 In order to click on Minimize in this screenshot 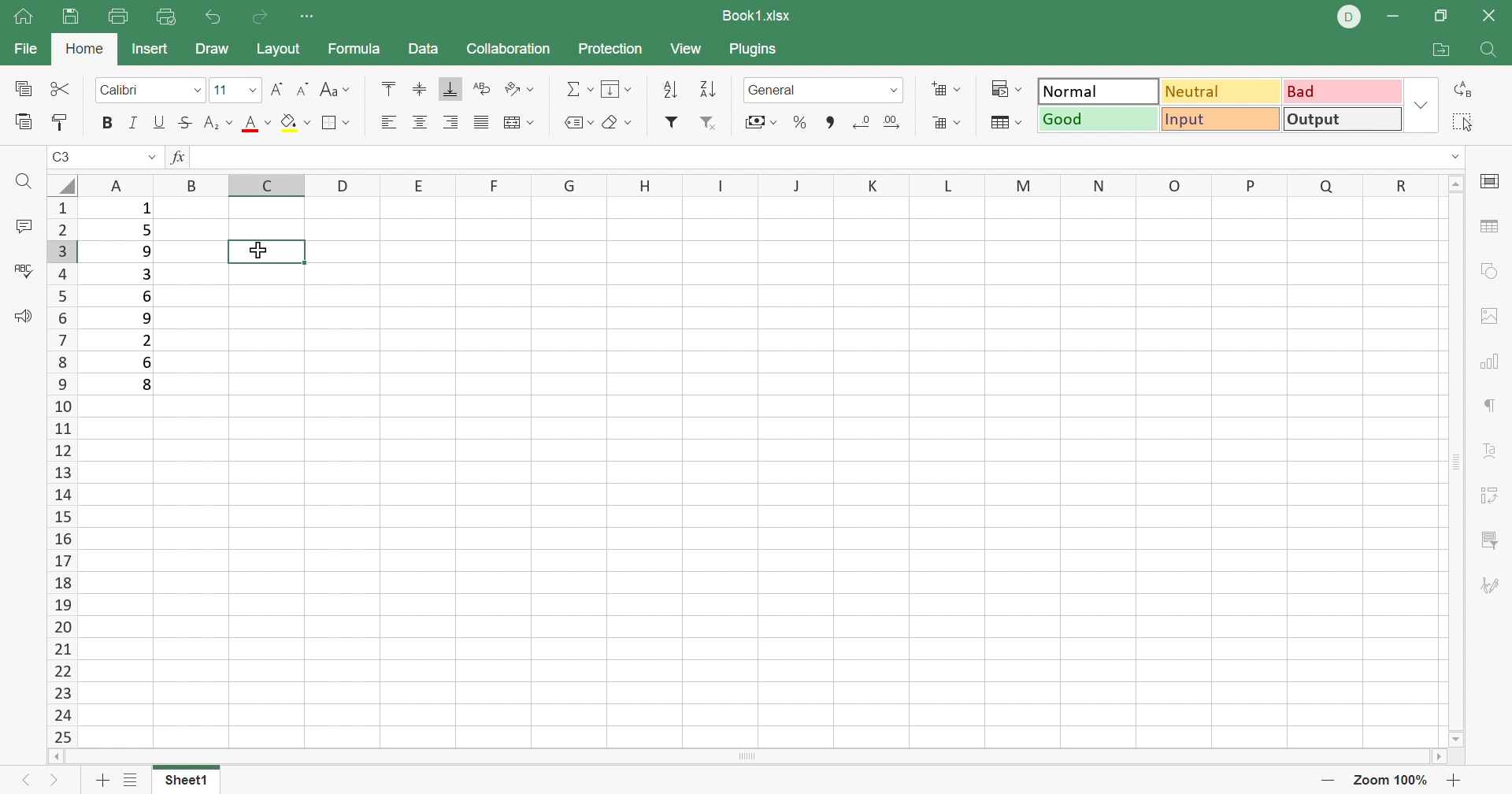, I will do `click(1401, 14)`.